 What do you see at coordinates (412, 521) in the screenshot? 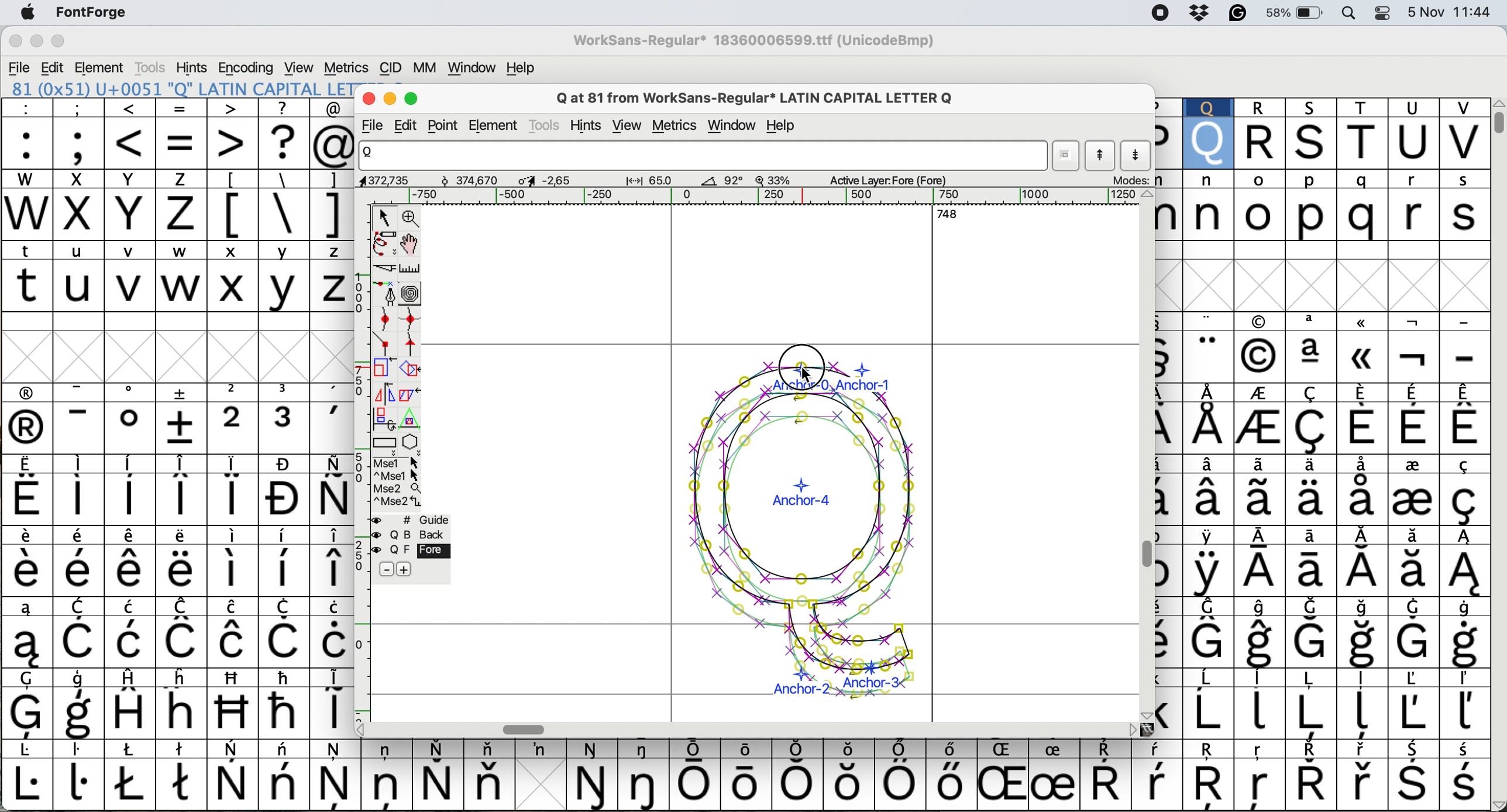
I see `guide` at bounding box center [412, 521].